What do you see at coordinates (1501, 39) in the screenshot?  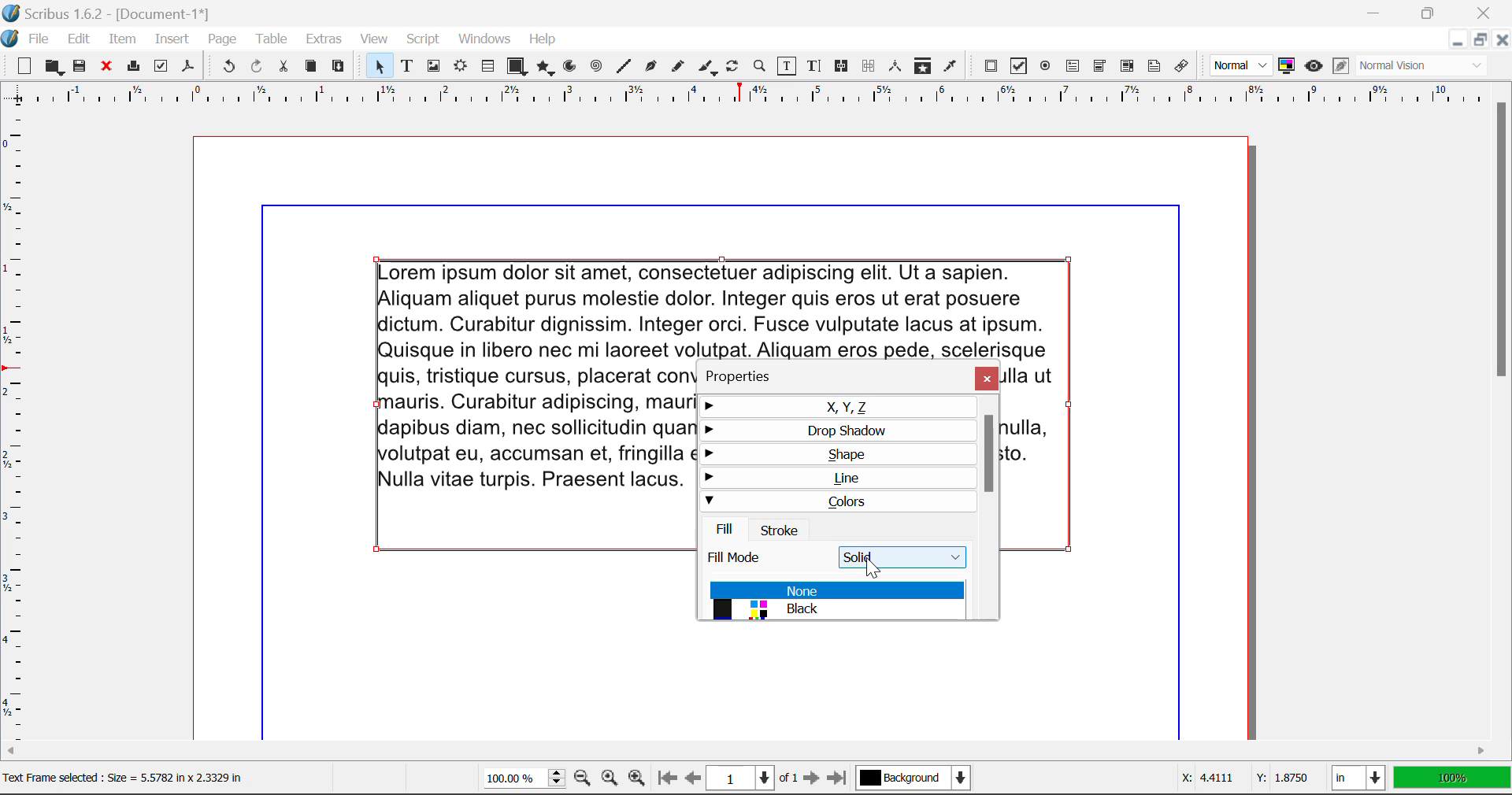 I see `Close` at bounding box center [1501, 39].